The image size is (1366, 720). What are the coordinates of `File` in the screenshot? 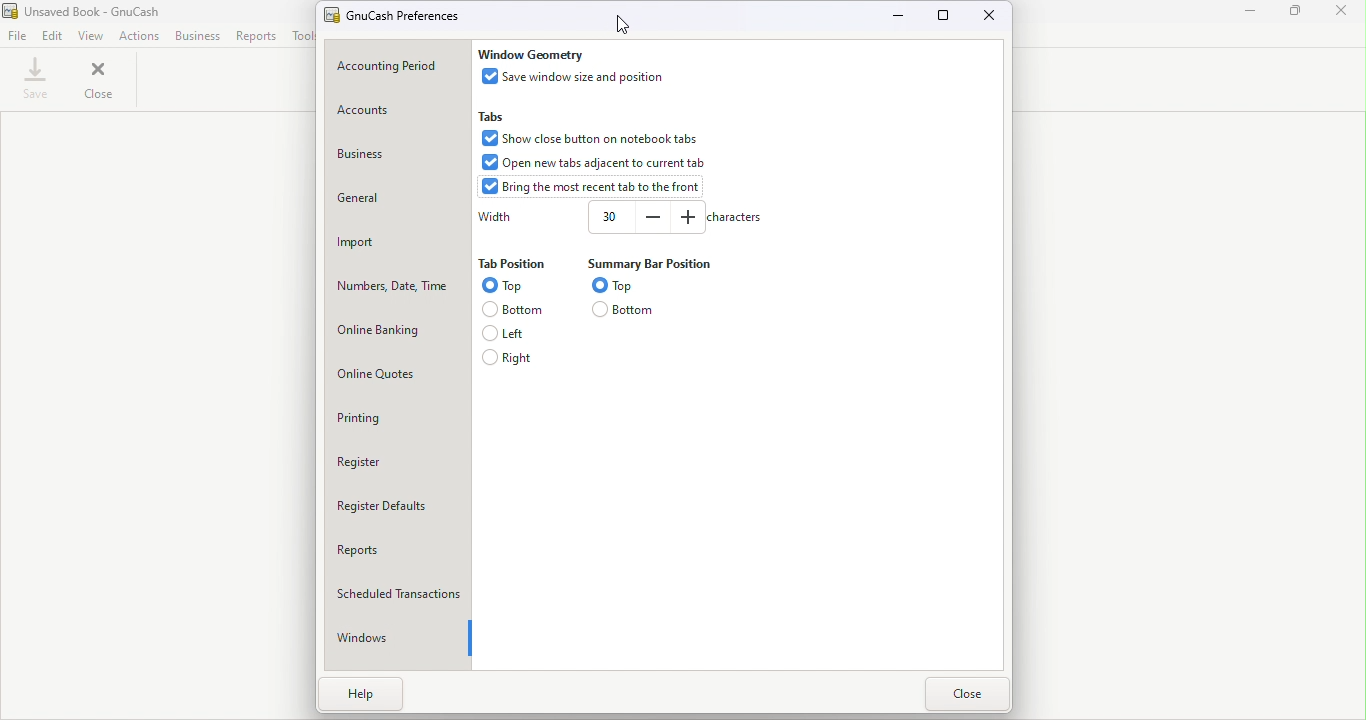 It's located at (17, 36).